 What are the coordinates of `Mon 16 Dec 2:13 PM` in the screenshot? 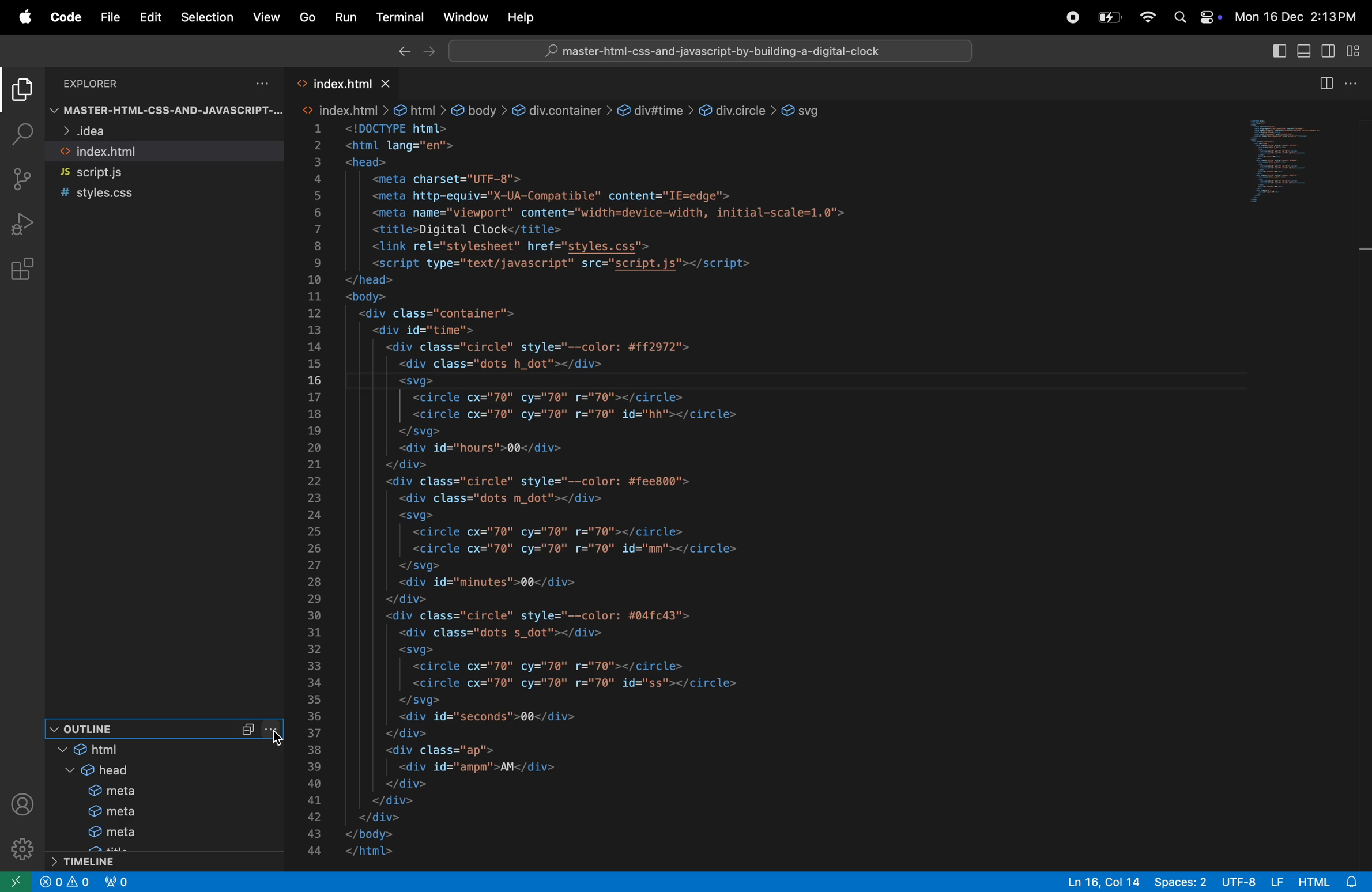 It's located at (1299, 14).